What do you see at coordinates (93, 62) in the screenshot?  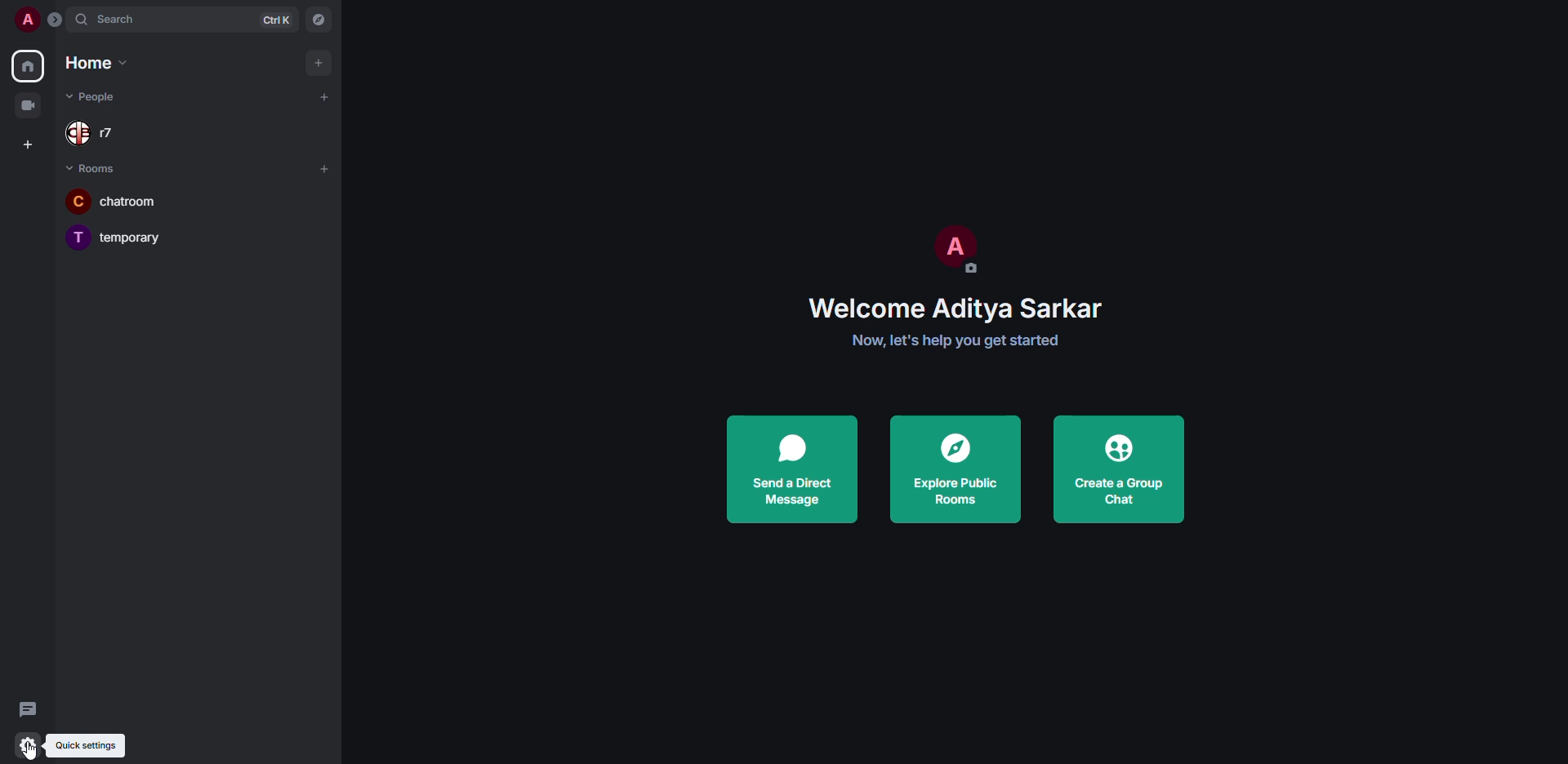 I see `home` at bounding box center [93, 62].